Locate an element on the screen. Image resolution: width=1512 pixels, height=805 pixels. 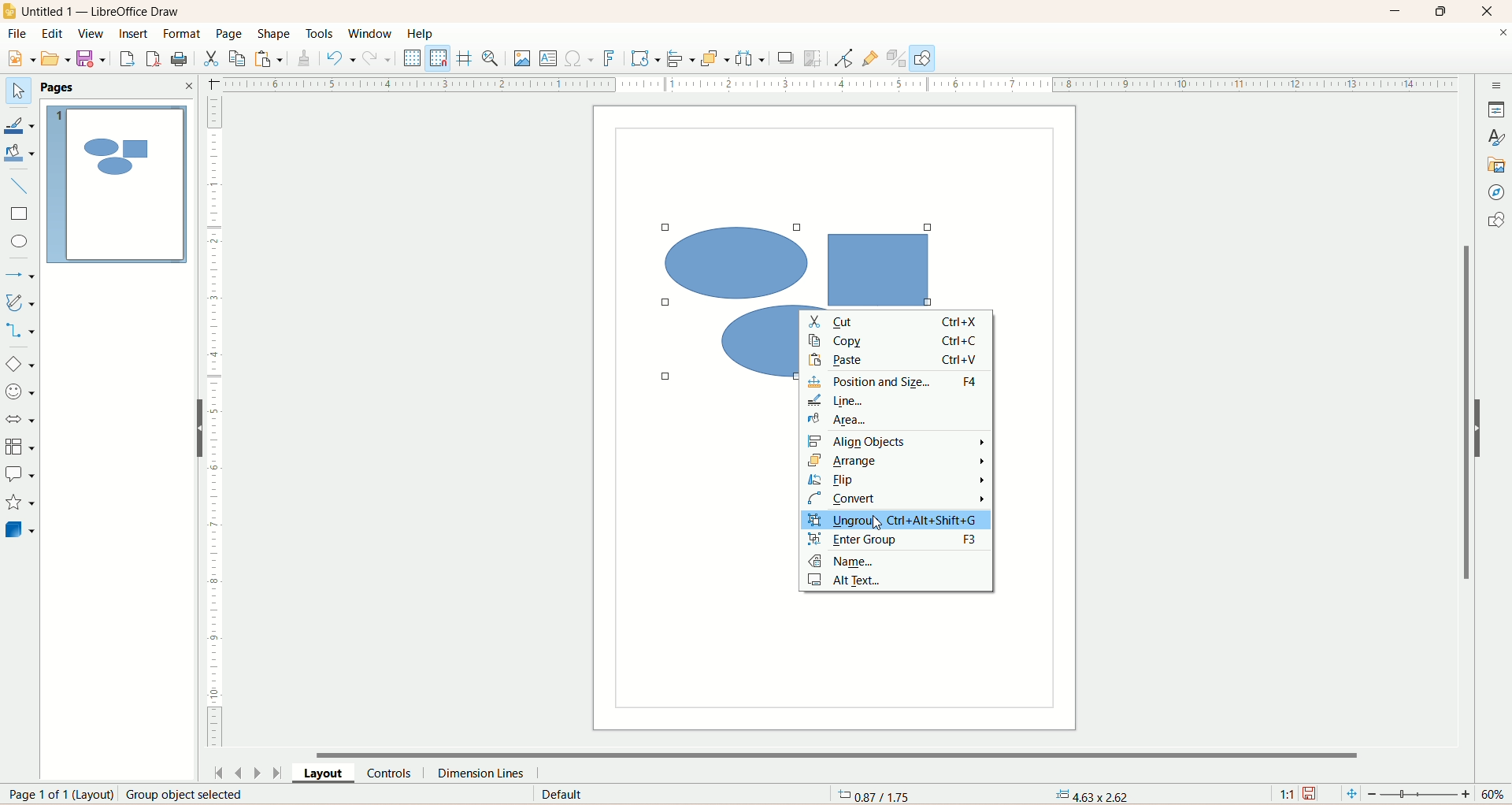
zoom slider is located at coordinates (1423, 796).